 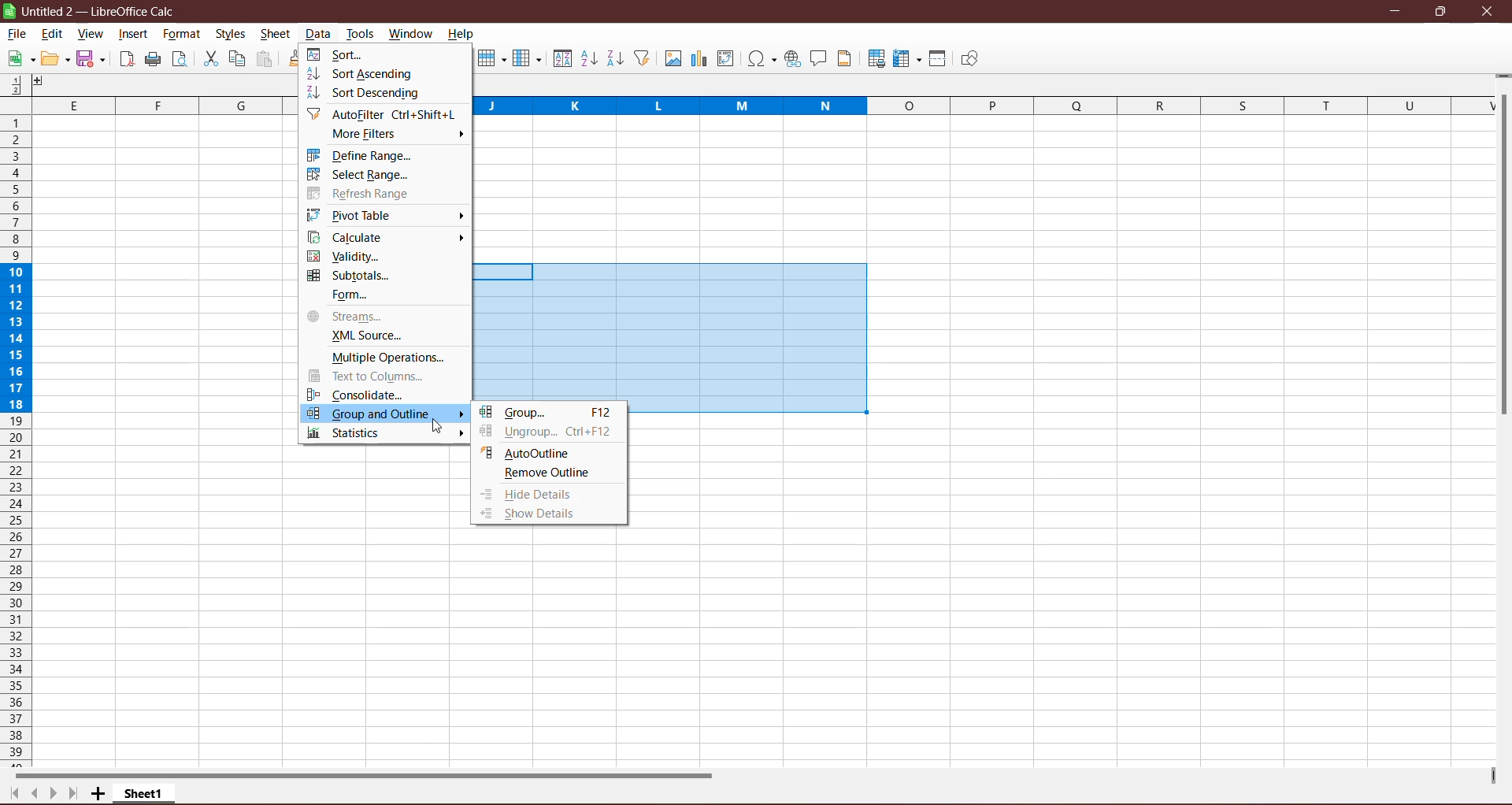 What do you see at coordinates (209, 59) in the screenshot?
I see `Cut` at bounding box center [209, 59].